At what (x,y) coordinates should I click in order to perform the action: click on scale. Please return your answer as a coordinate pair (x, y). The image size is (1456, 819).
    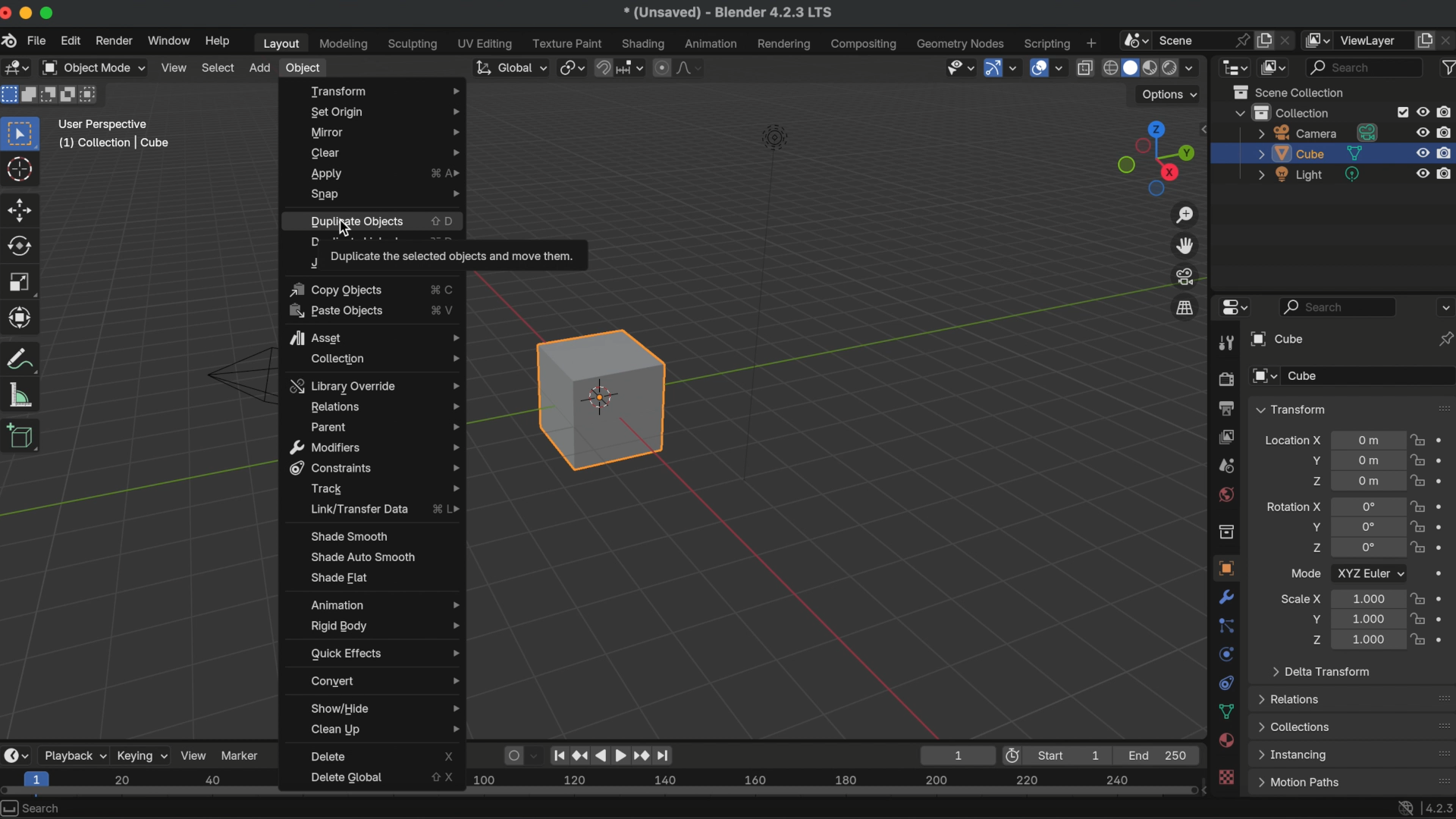
    Looking at the image, I should click on (21, 282).